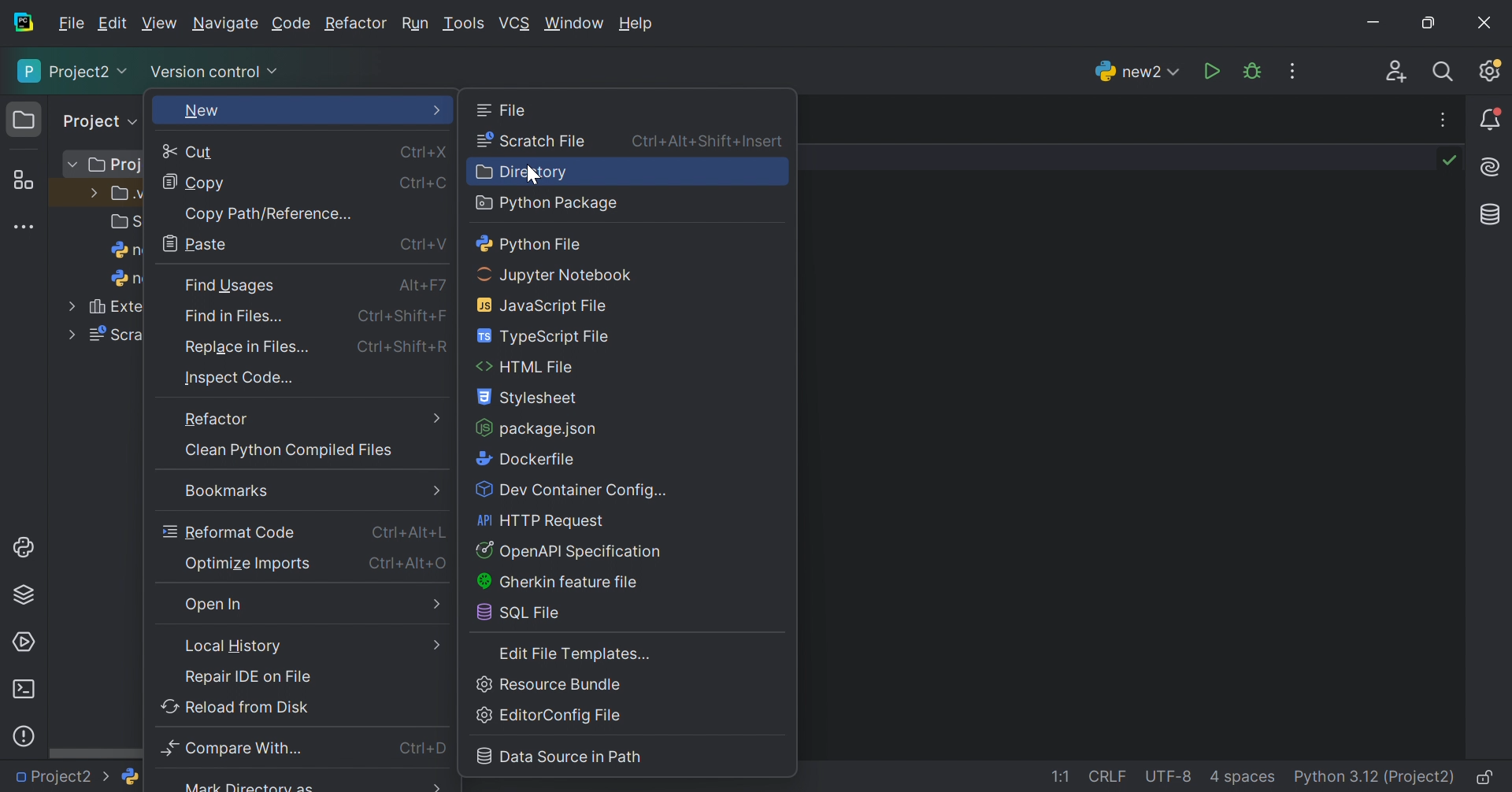 The image size is (1512, 792). I want to click on Open in, so click(216, 603).